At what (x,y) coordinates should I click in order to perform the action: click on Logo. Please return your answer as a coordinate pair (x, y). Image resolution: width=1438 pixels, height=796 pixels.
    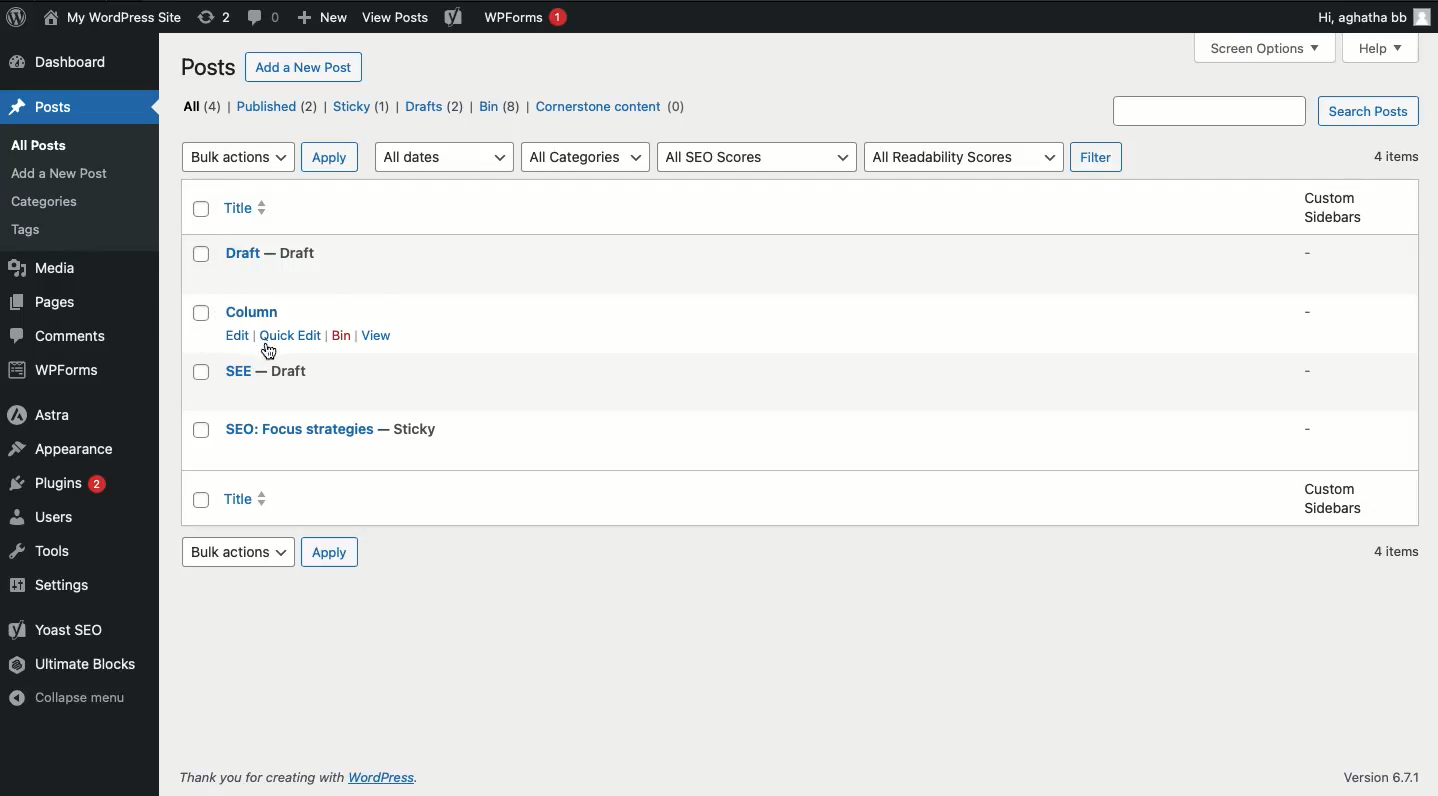
    Looking at the image, I should click on (14, 18).